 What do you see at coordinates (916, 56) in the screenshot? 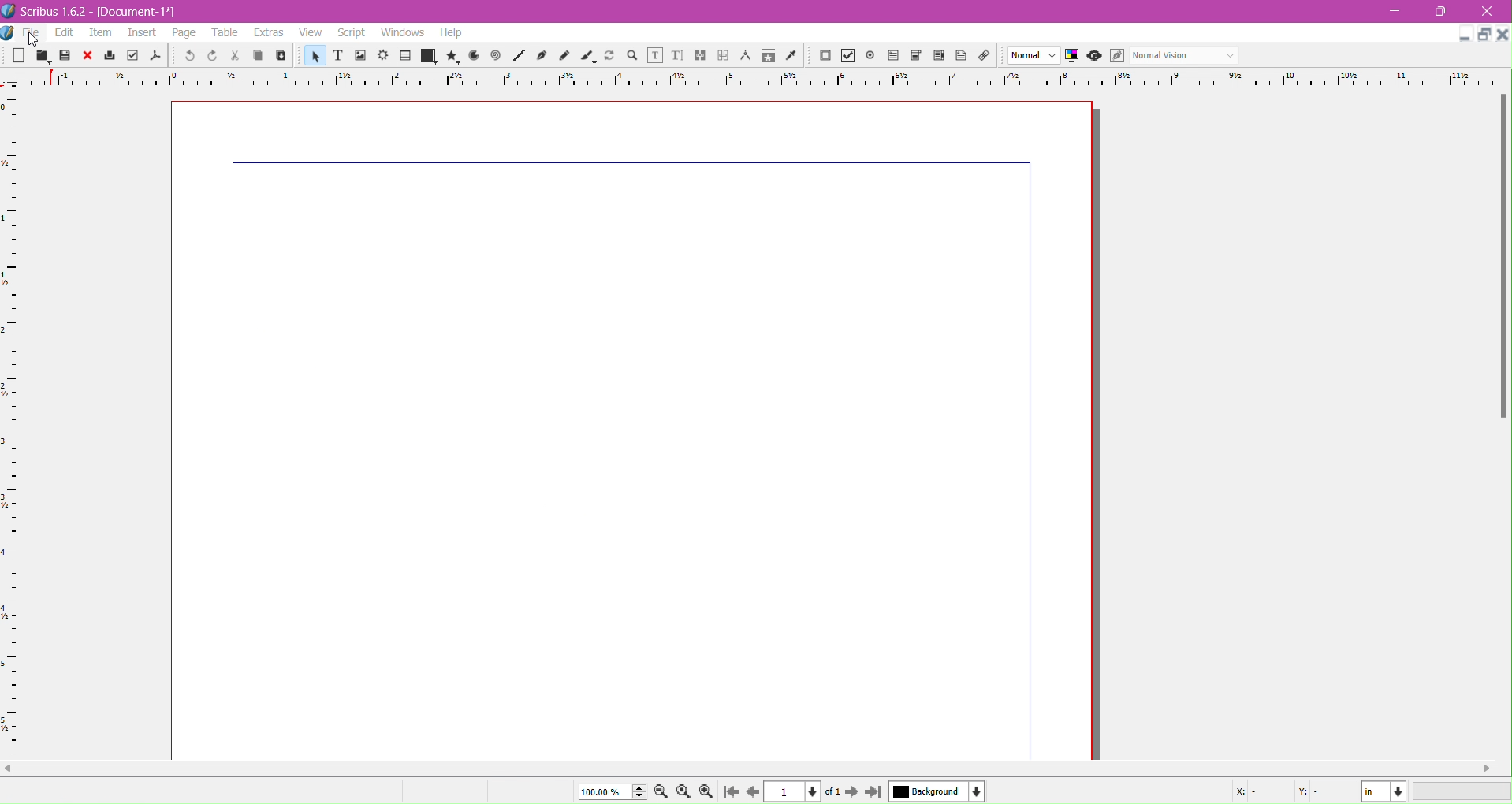
I see `pdf list box` at bounding box center [916, 56].